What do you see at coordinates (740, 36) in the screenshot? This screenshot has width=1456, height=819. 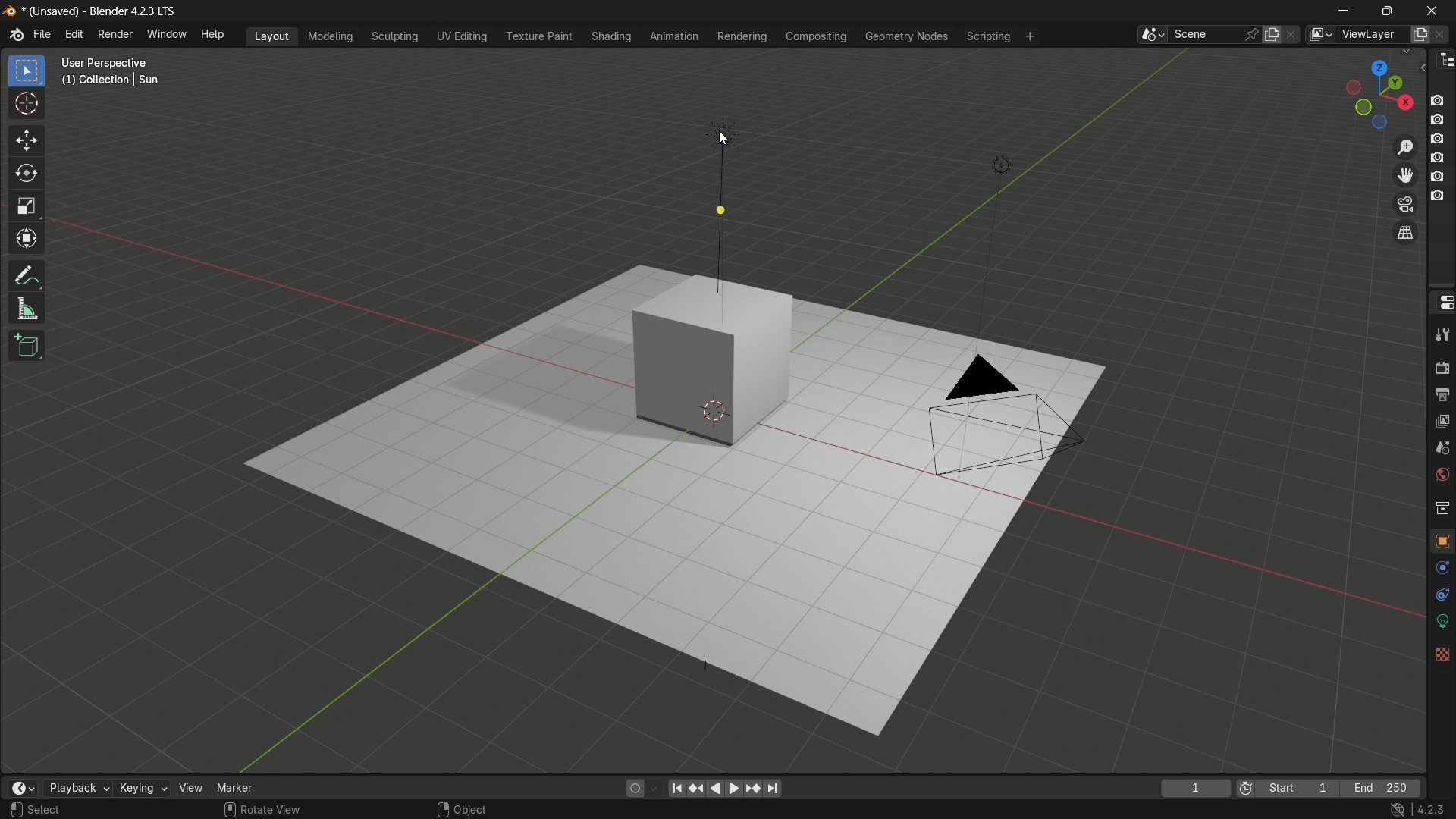 I see `rendering` at bounding box center [740, 36].